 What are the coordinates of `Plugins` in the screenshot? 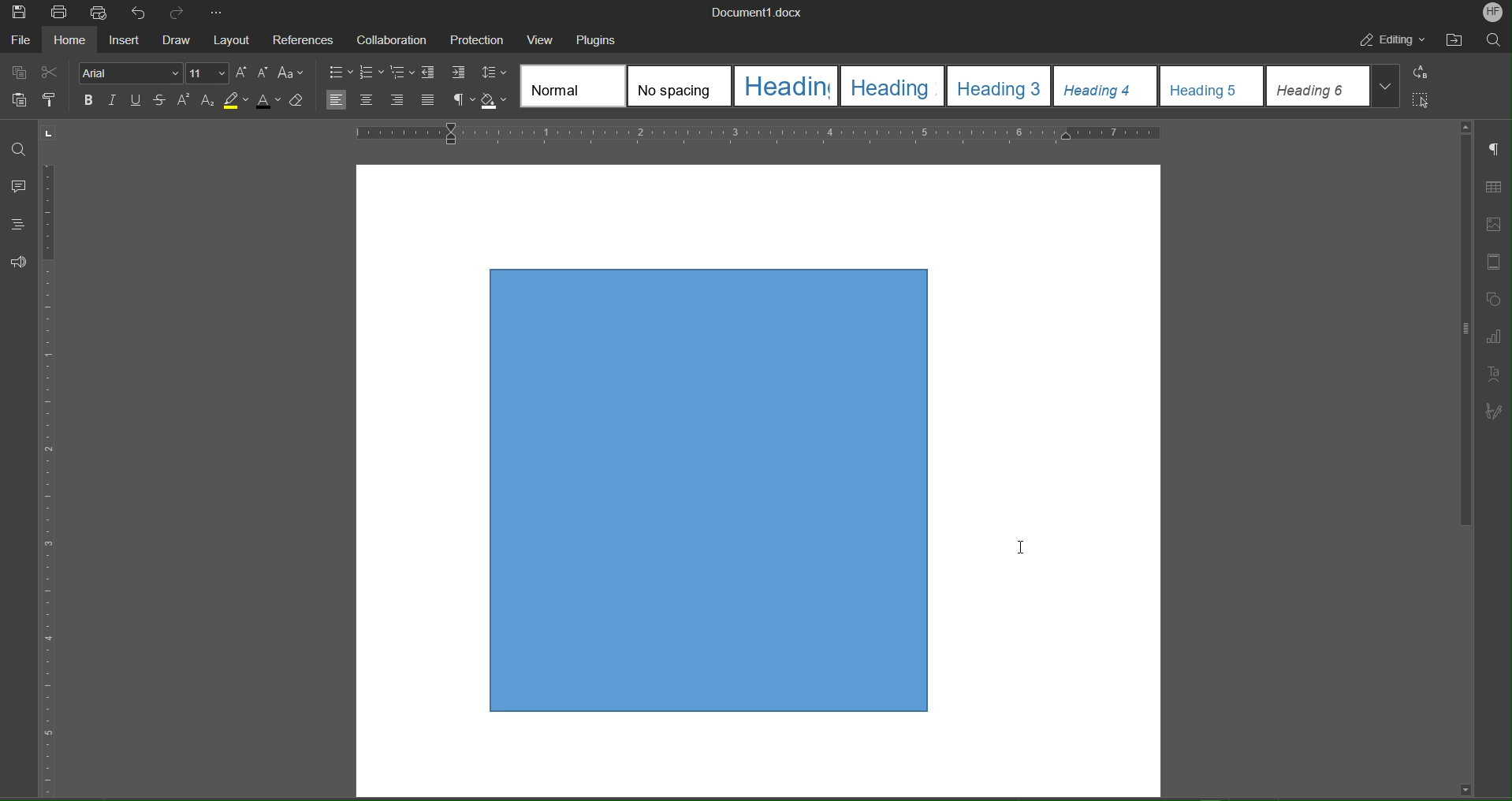 It's located at (603, 39).